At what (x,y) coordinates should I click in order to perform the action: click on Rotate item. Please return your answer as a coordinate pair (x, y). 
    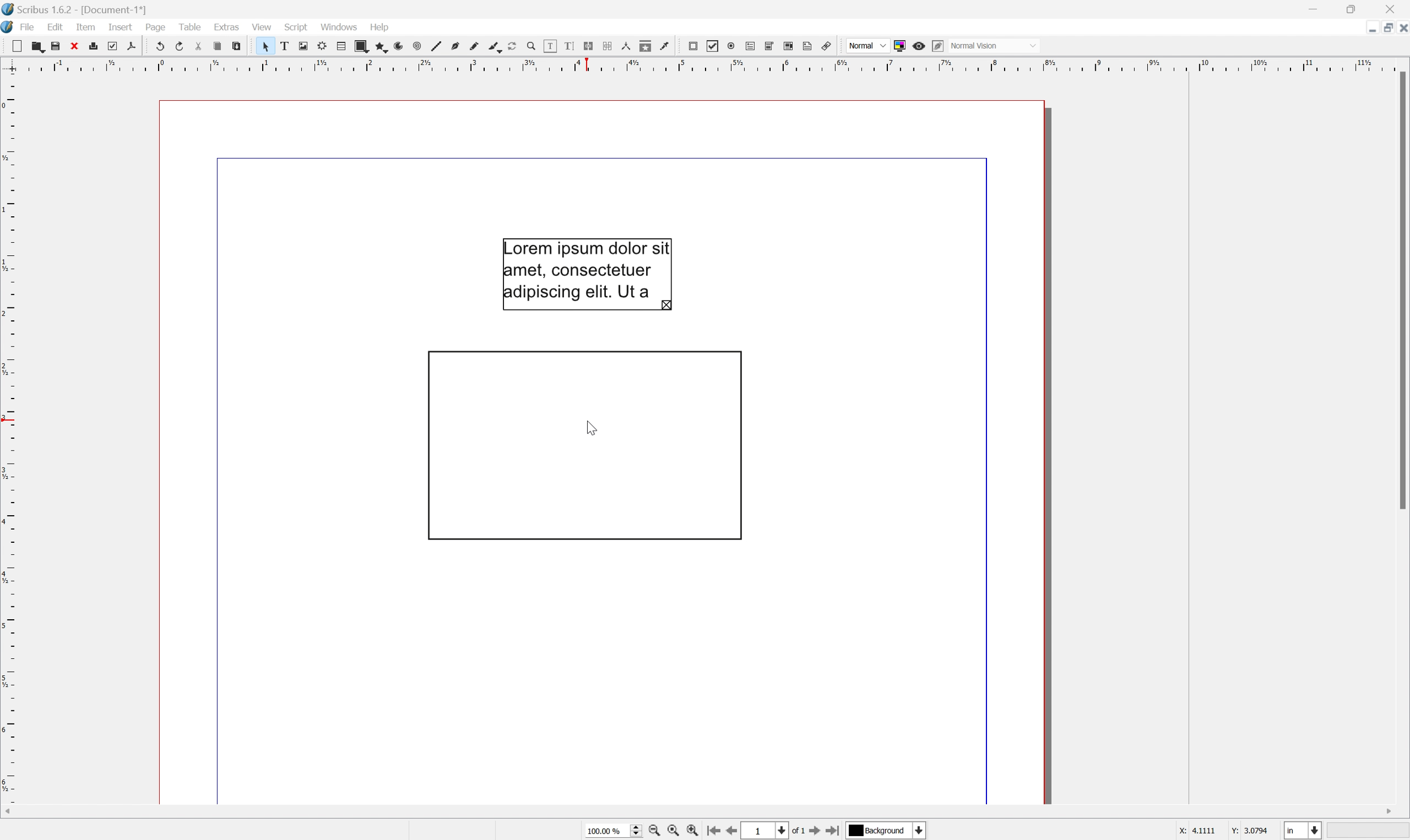
    Looking at the image, I should click on (582, 445).